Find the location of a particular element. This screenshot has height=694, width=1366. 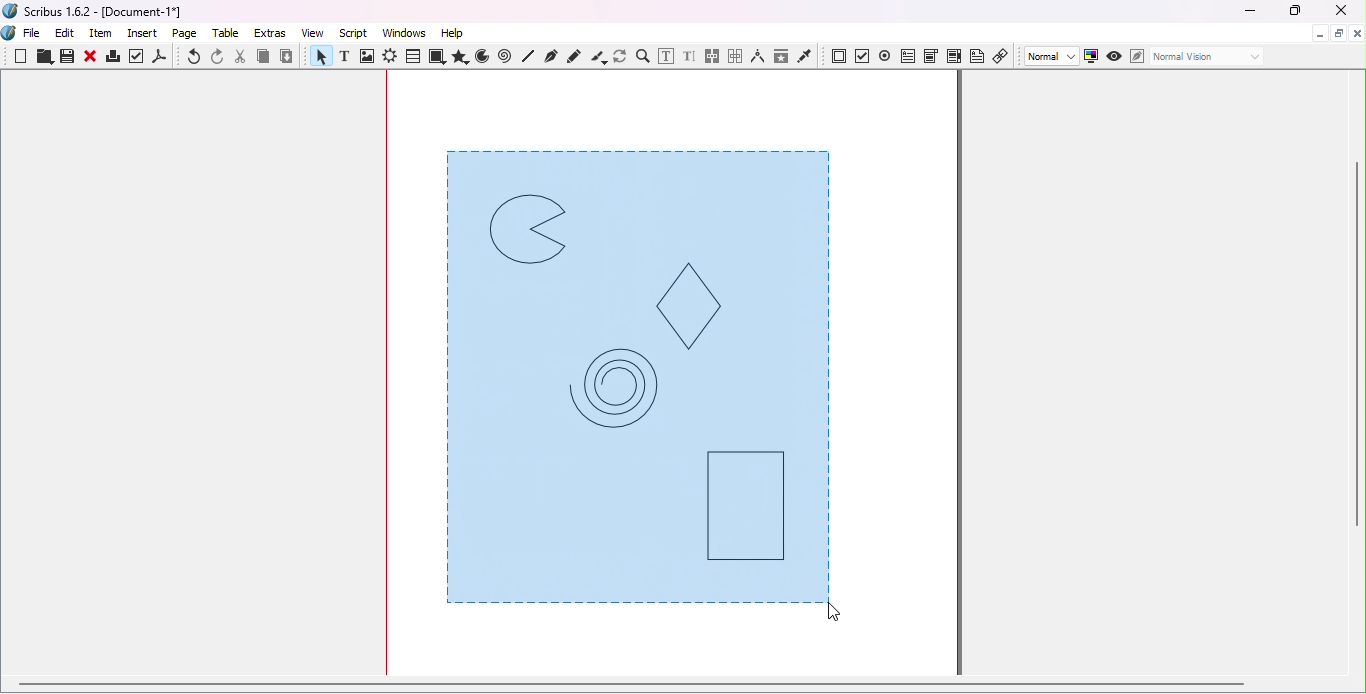

Polygon is located at coordinates (458, 57).